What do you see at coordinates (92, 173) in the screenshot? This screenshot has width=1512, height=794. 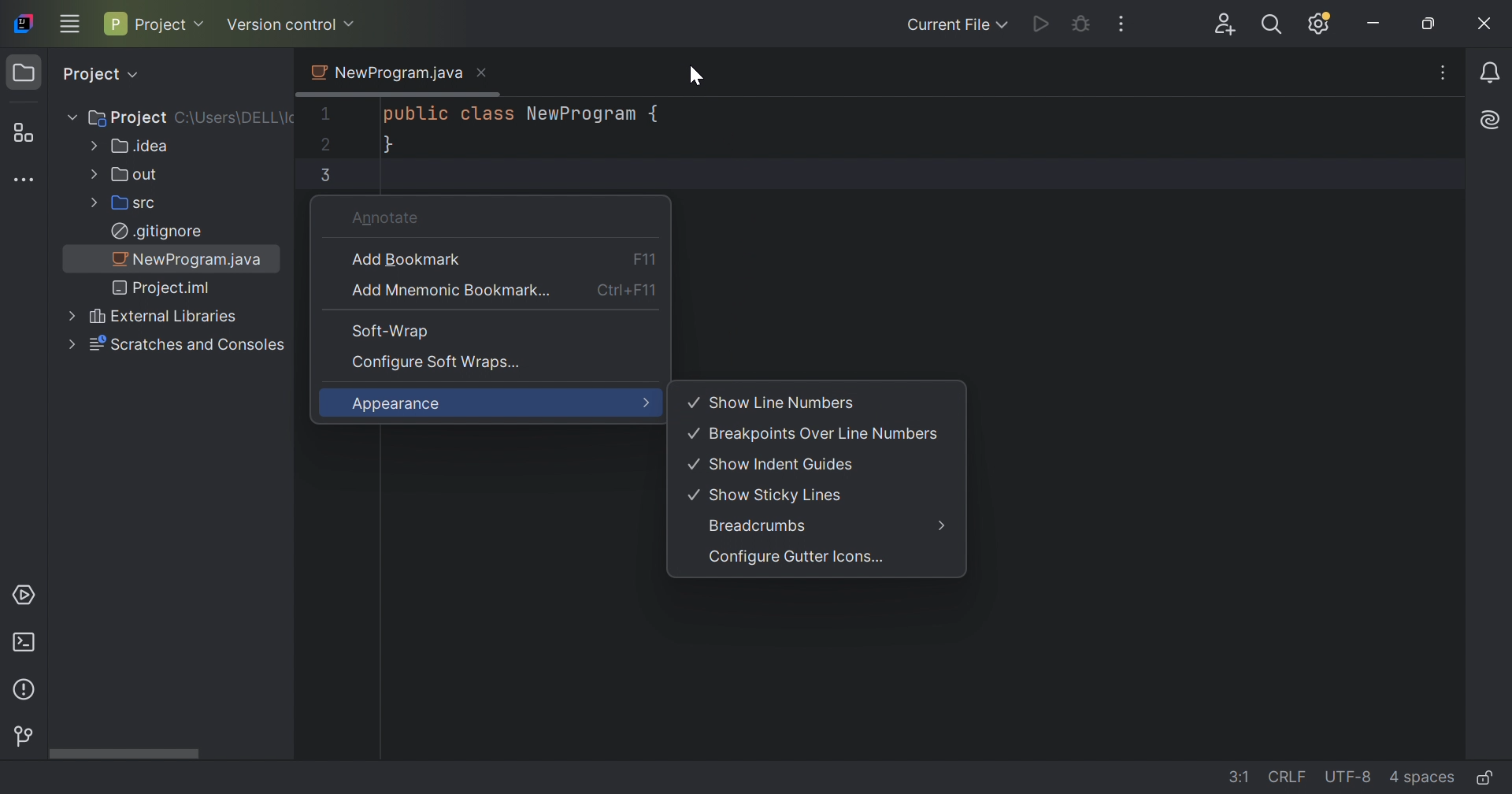 I see `Drop Down` at bounding box center [92, 173].